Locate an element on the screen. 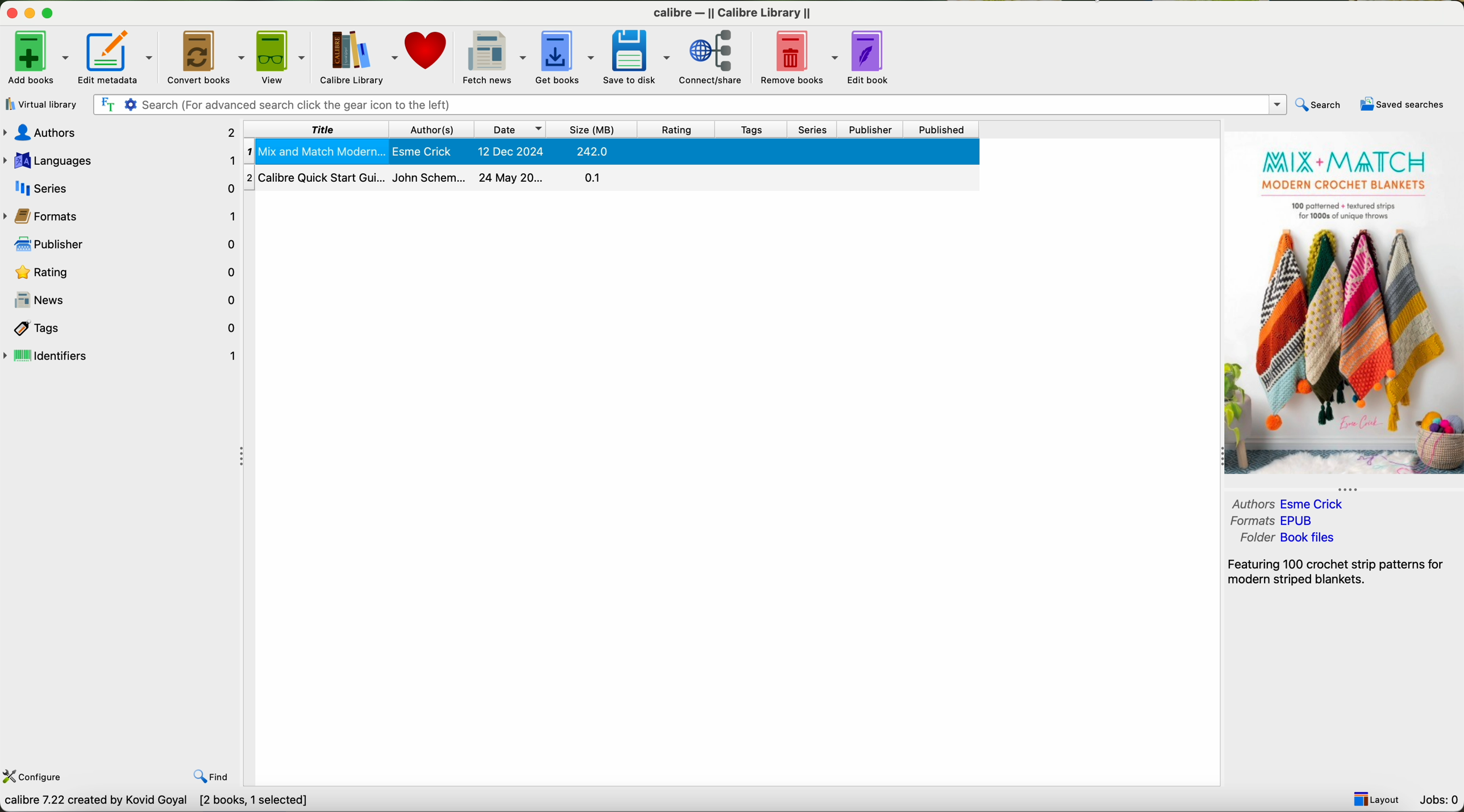 This screenshot has height=812, width=1464. date is located at coordinates (511, 129).